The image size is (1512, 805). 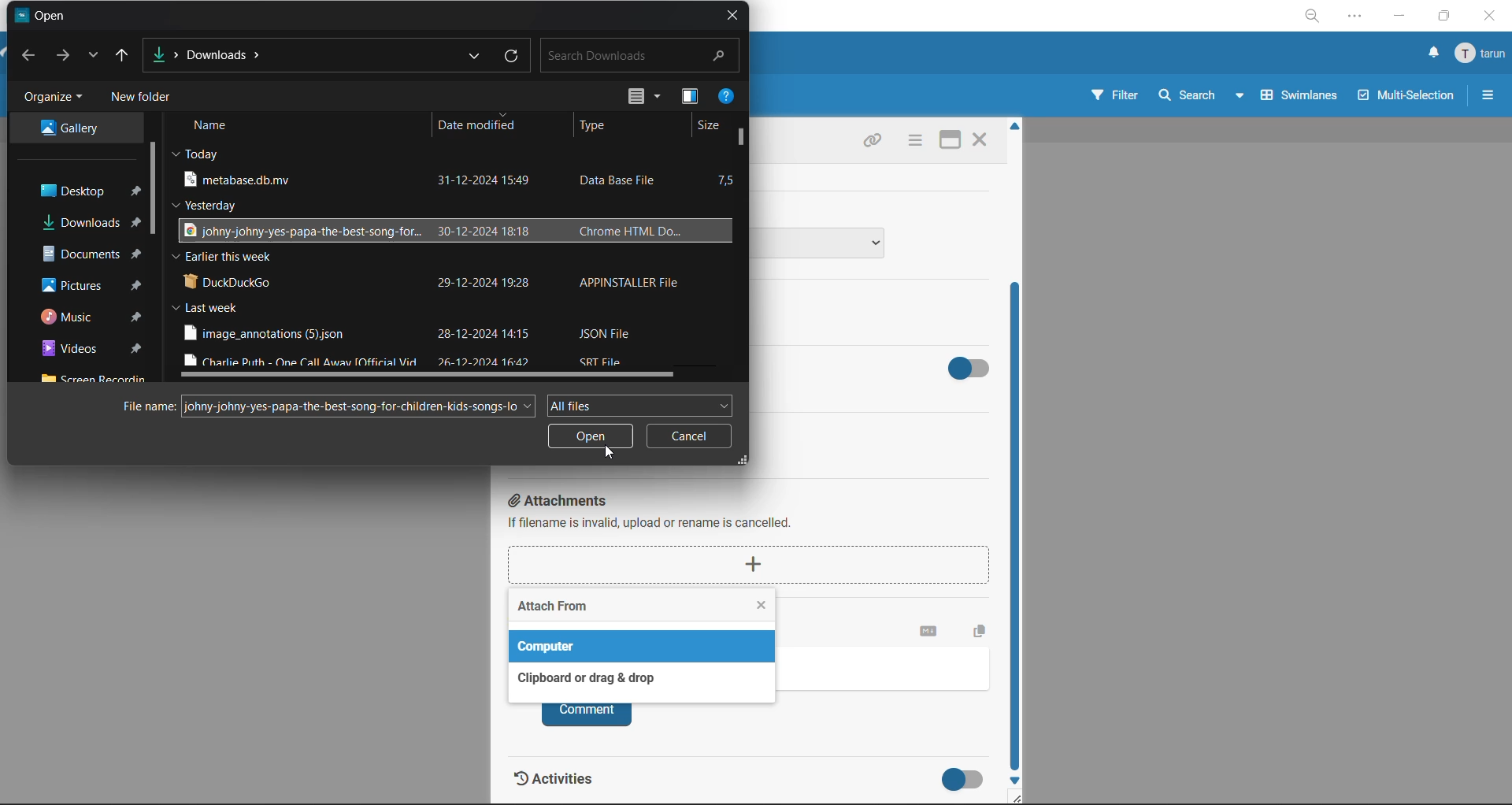 I want to click on desktop, so click(x=75, y=190).